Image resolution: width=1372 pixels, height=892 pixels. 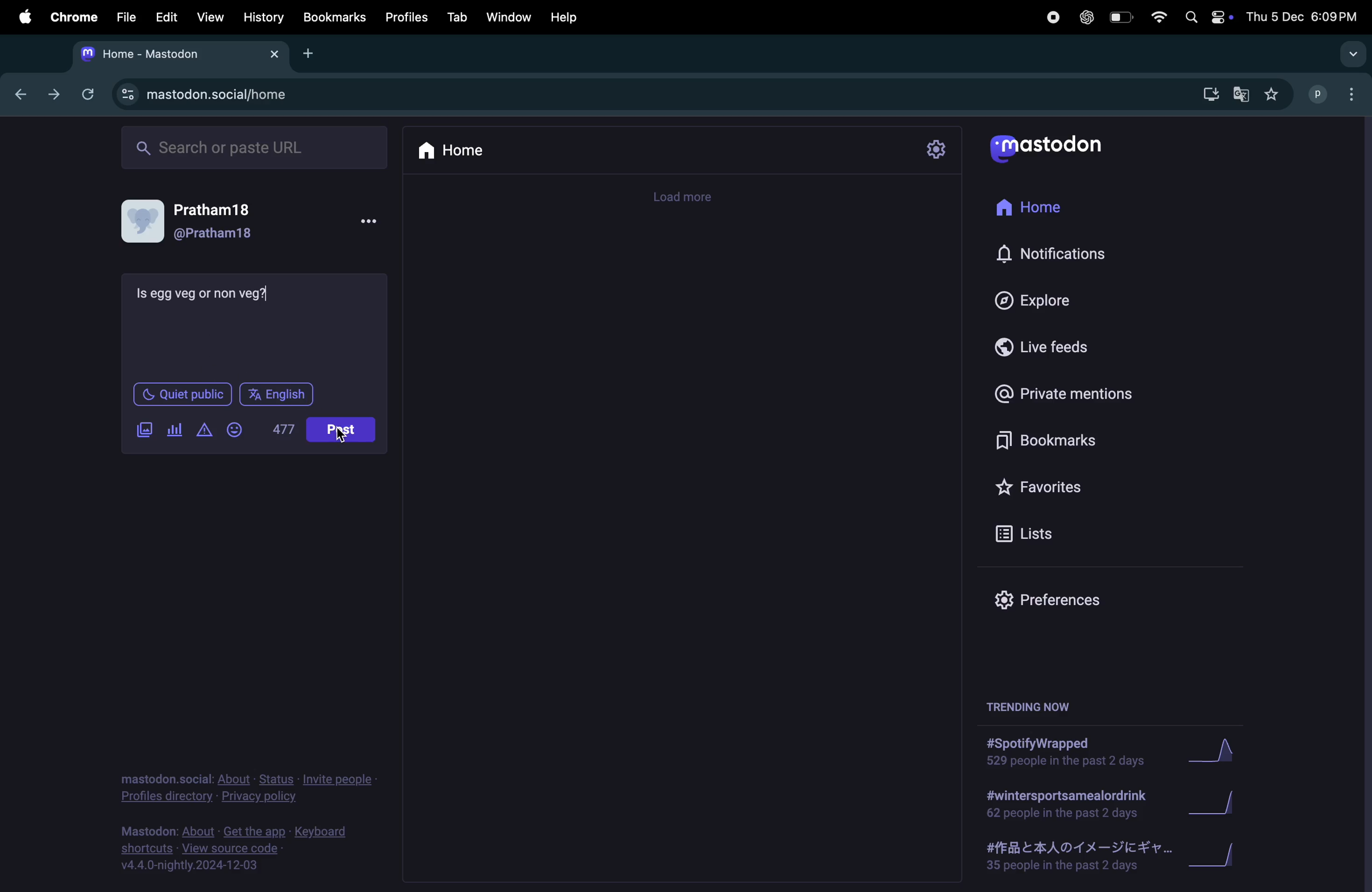 What do you see at coordinates (205, 293) in the screenshot?
I see `questions` at bounding box center [205, 293].